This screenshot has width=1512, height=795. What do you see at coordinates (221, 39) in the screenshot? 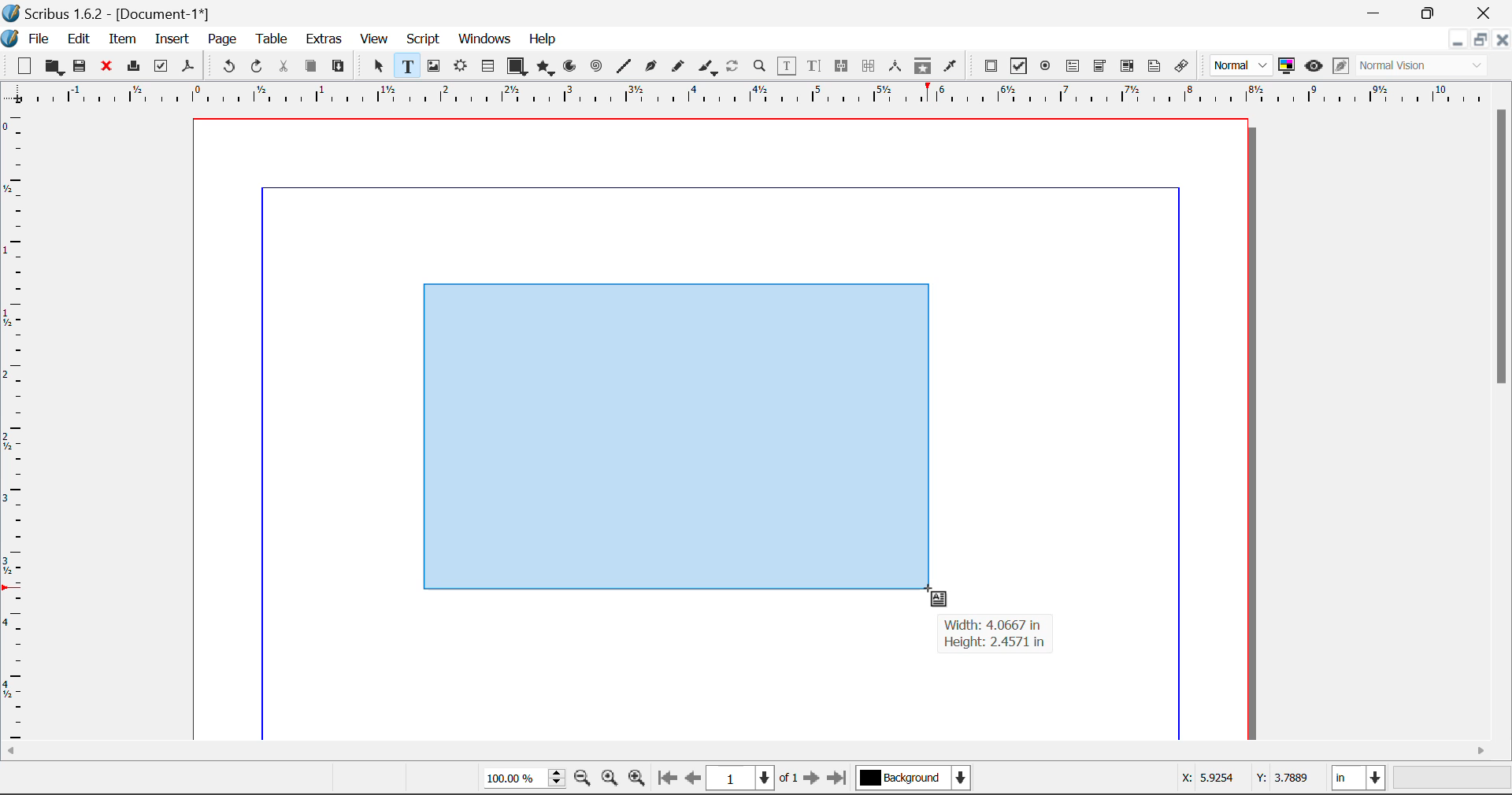
I see `Page` at bounding box center [221, 39].